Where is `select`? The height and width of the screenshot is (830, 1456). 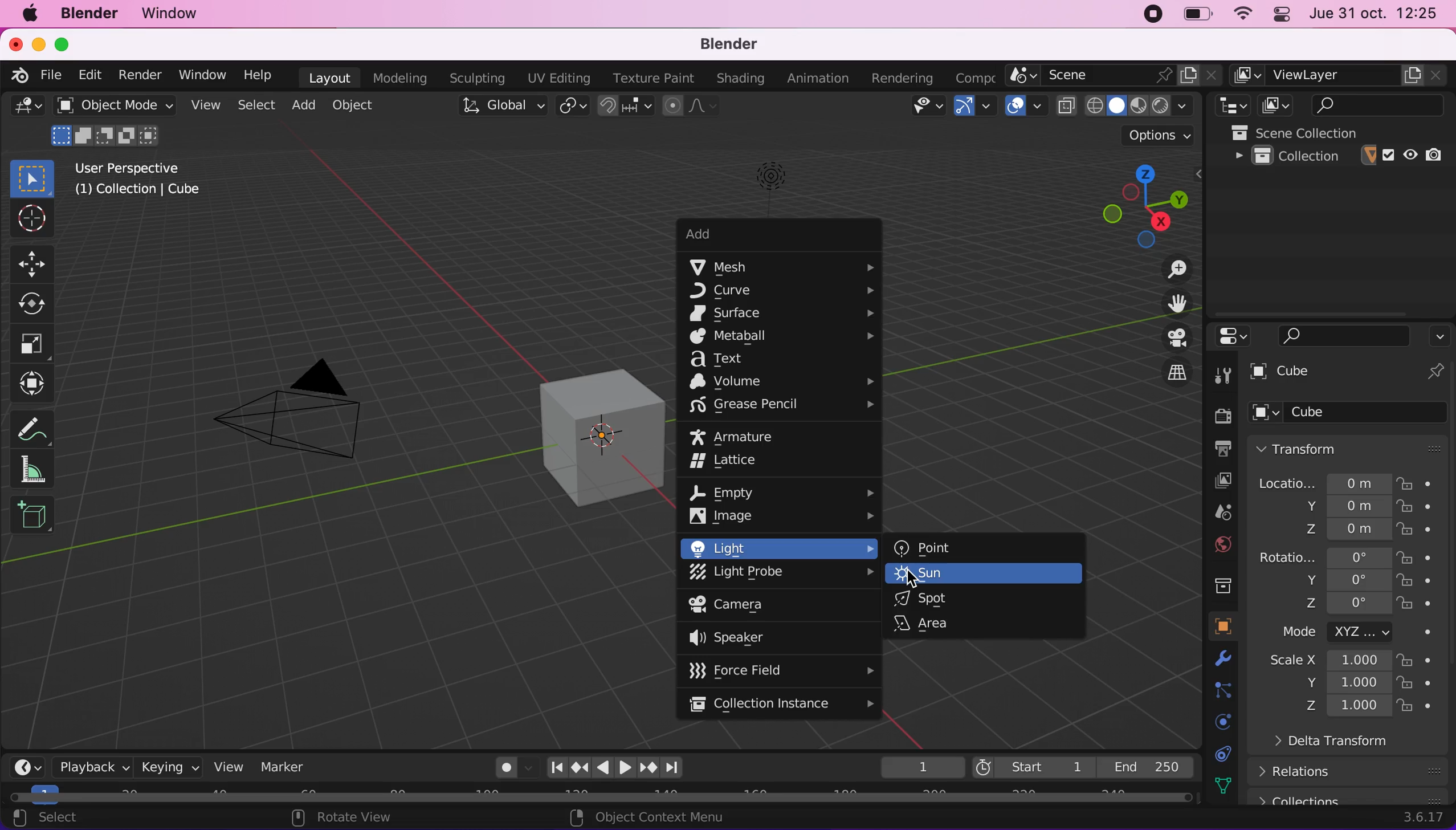 select is located at coordinates (67, 819).